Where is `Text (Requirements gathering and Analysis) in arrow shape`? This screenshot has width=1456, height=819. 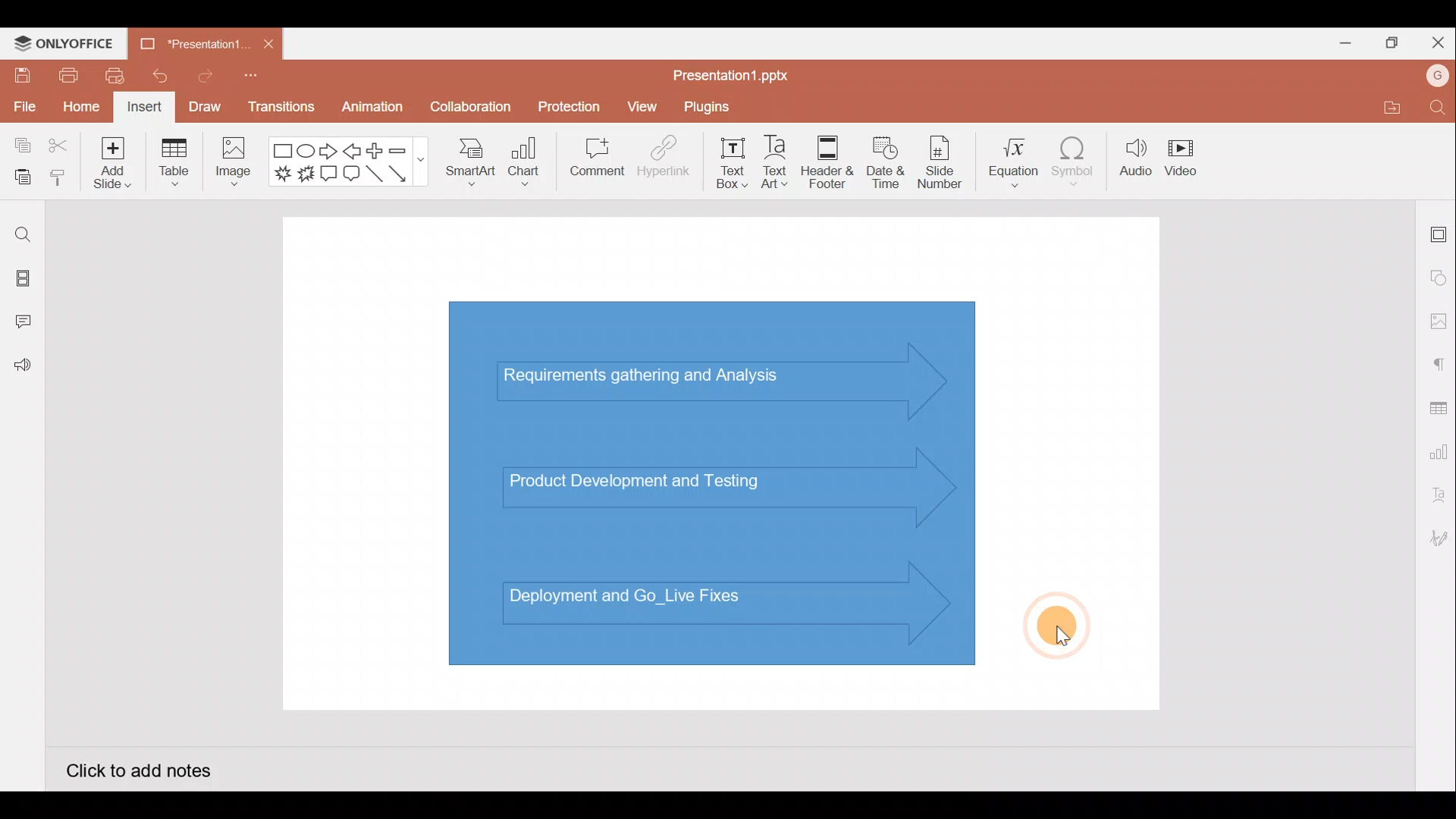
Text (Requirements gathering and Analysis) in arrow shape is located at coordinates (654, 378).